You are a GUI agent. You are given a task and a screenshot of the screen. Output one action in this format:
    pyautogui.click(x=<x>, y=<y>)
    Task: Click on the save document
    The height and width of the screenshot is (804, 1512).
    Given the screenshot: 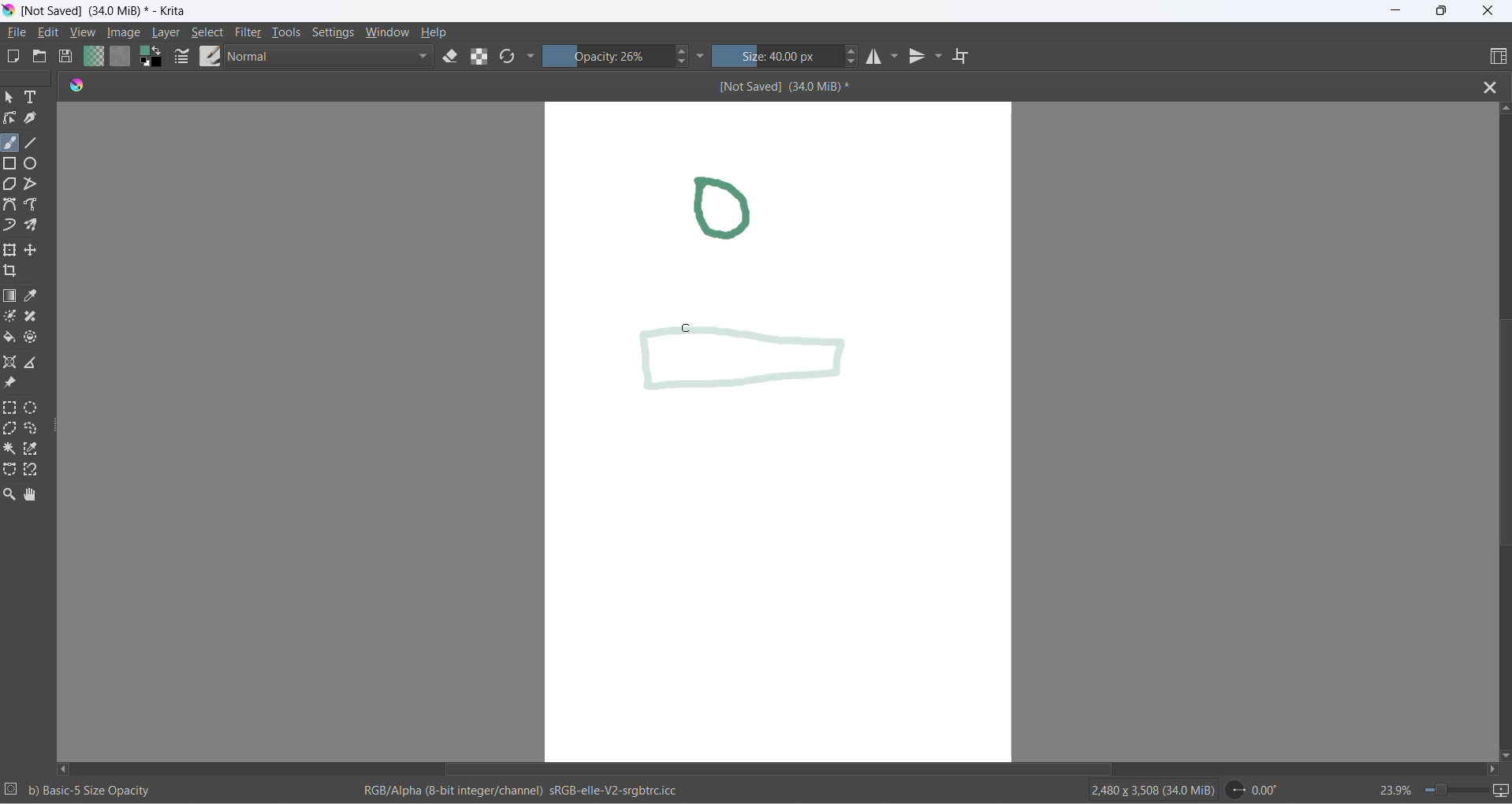 What is the action you would take?
    pyautogui.click(x=68, y=56)
    